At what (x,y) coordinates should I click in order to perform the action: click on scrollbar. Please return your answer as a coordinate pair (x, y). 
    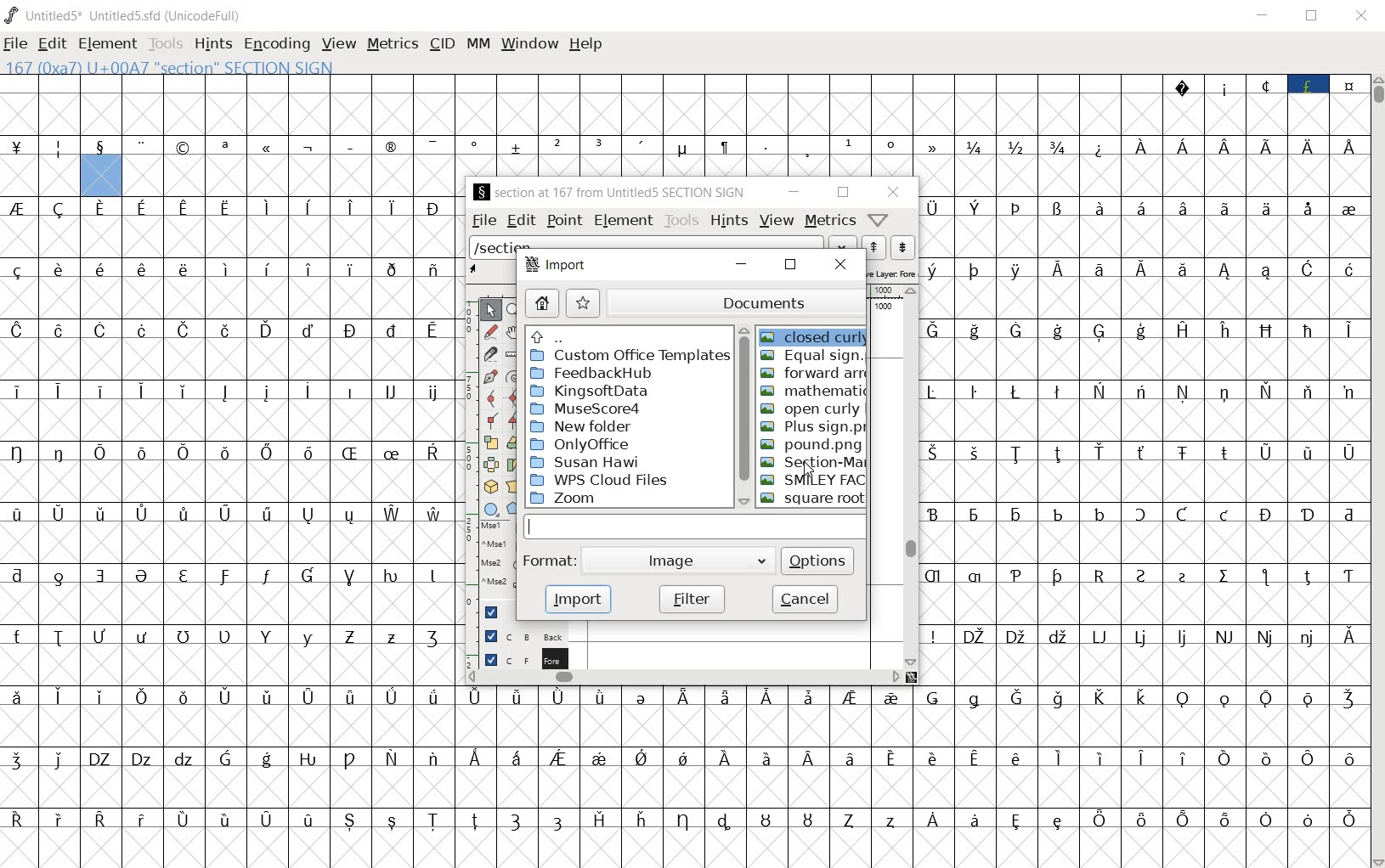
    Looking at the image, I should click on (911, 475).